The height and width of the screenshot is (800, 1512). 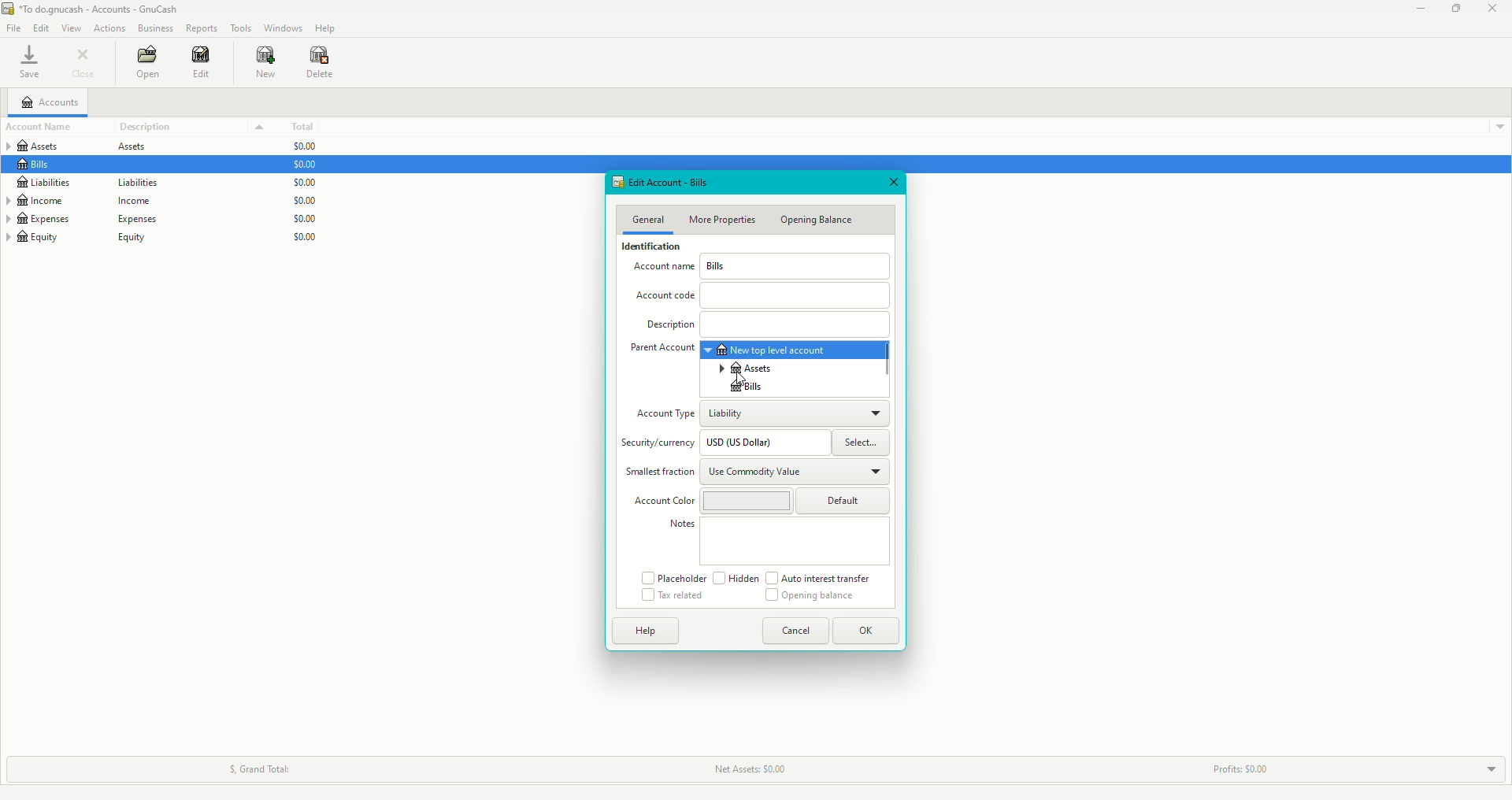 I want to click on Edit, so click(x=205, y=64).